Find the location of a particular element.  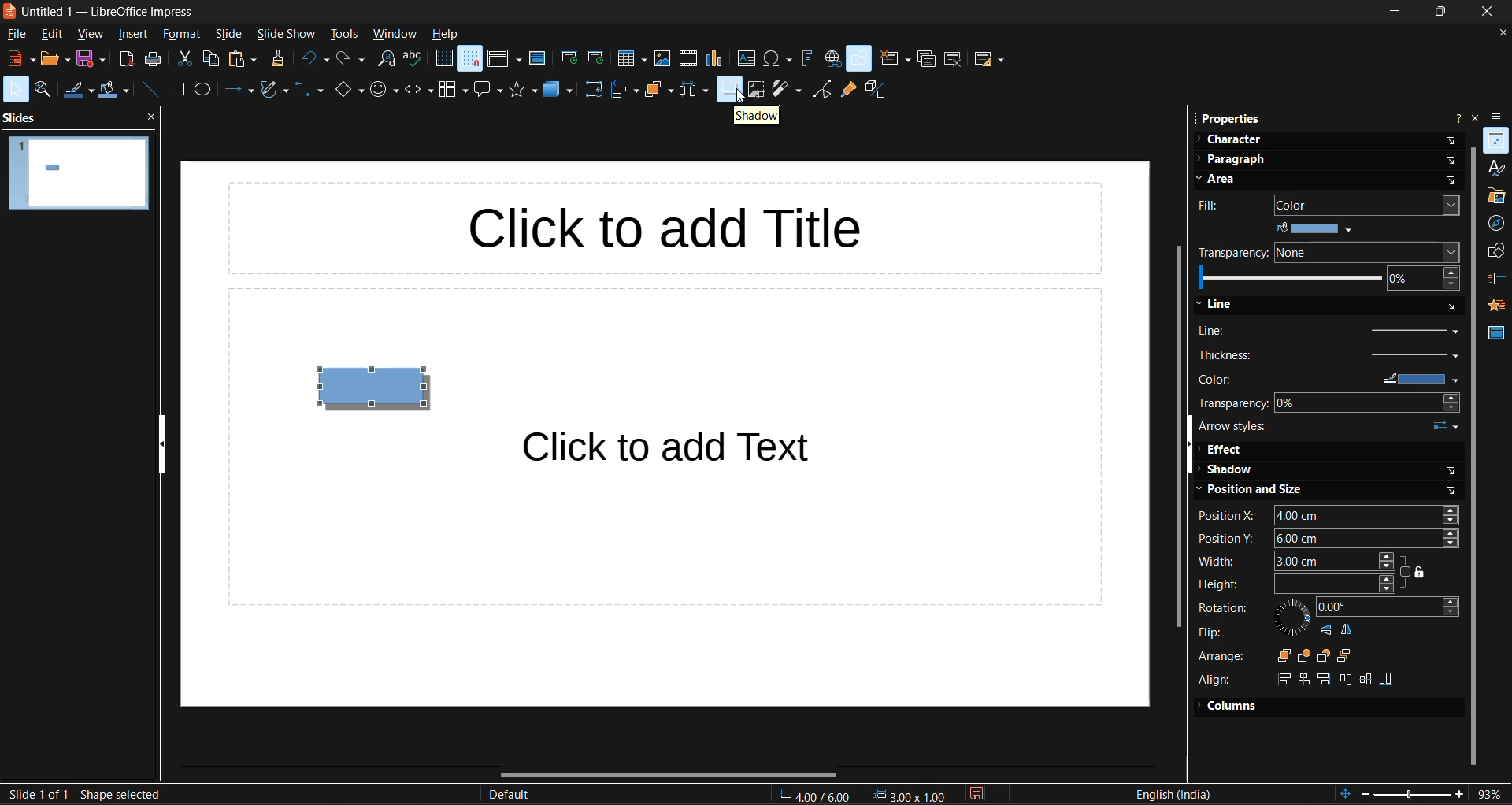

more options is located at coordinates (1456, 493).